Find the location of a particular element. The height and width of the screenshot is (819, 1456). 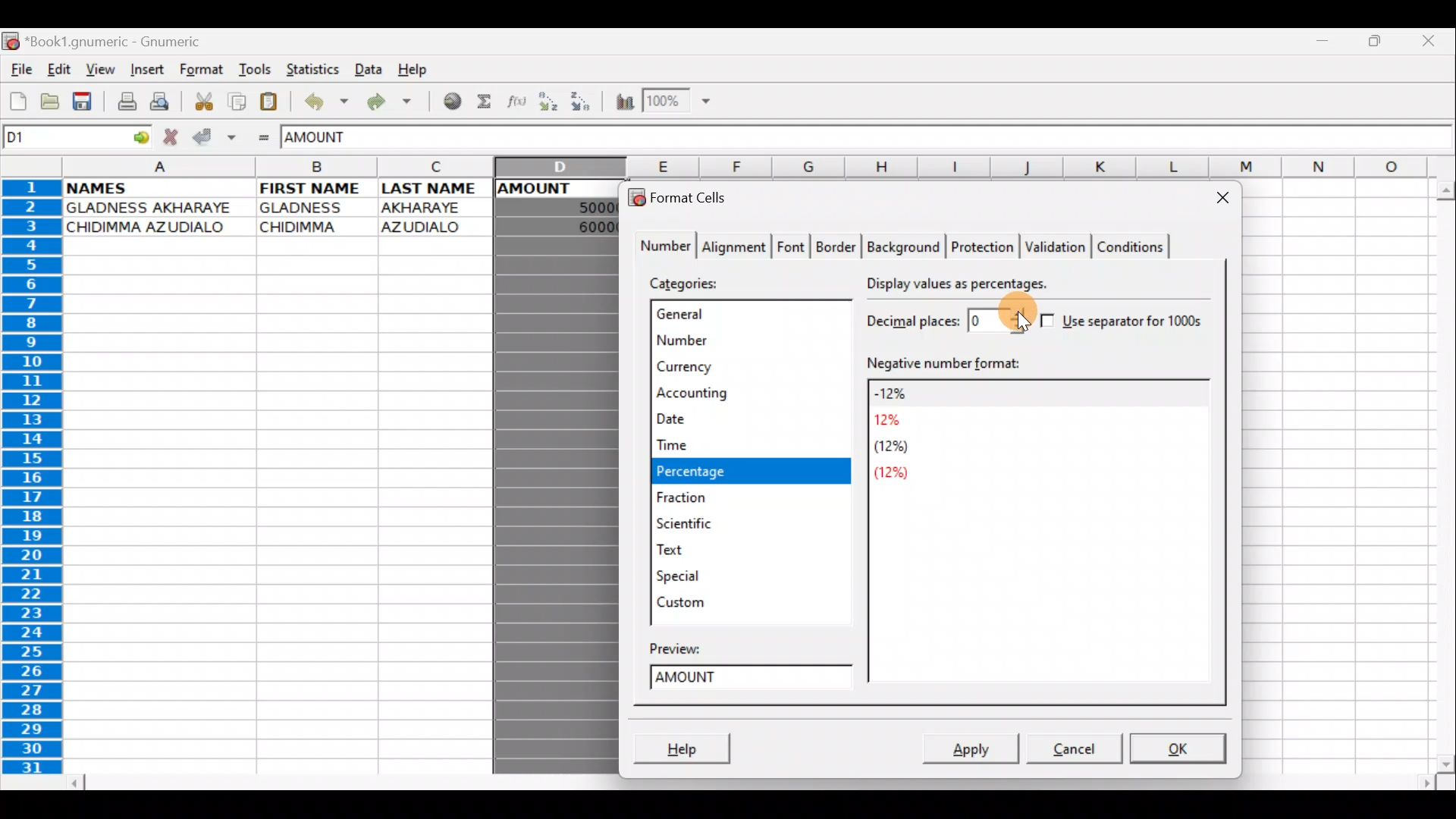

Insert hyperlink is located at coordinates (447, 102).